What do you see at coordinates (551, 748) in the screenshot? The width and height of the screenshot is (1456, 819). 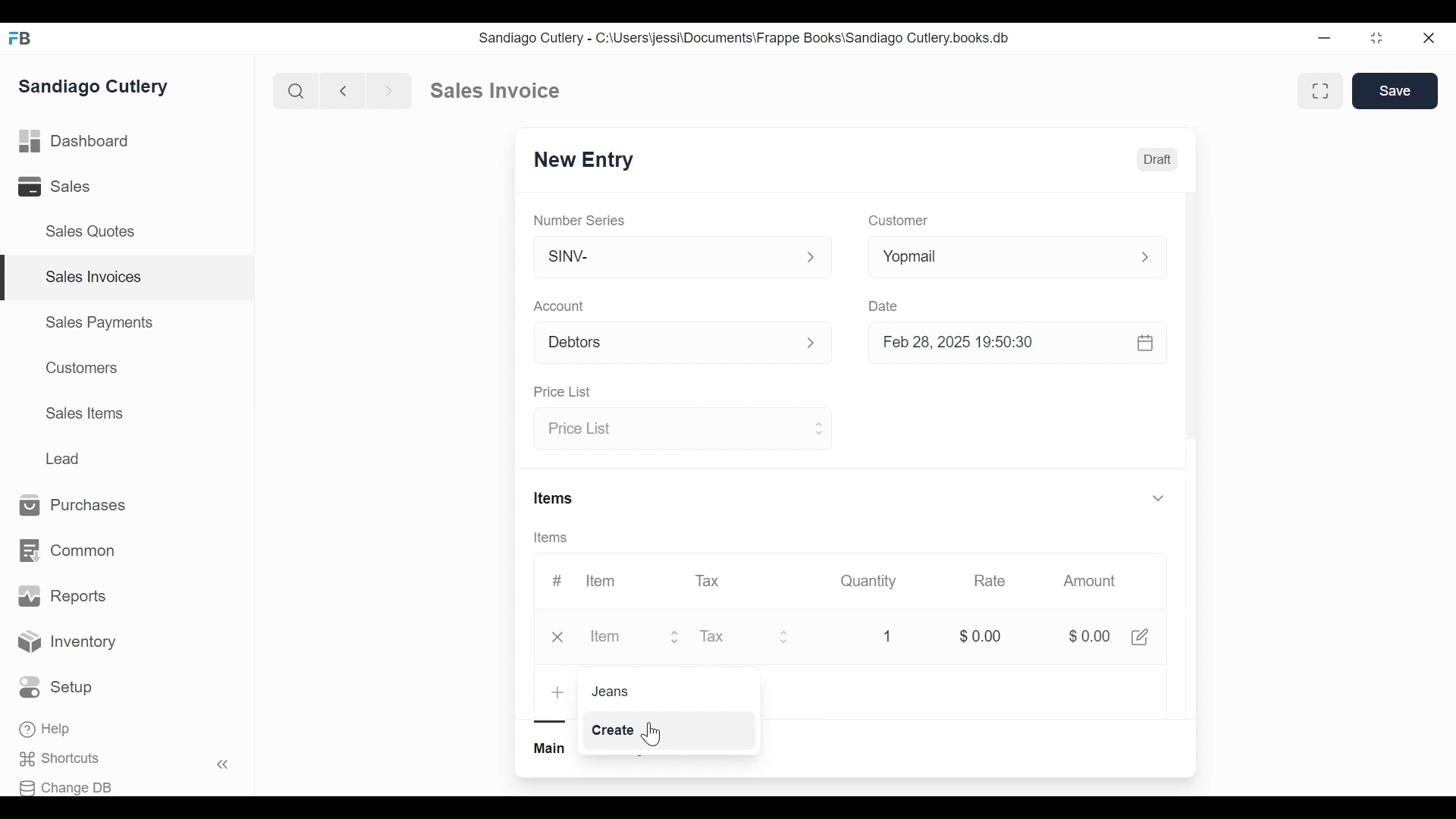 I see `main` at bounding box center [551, 748].